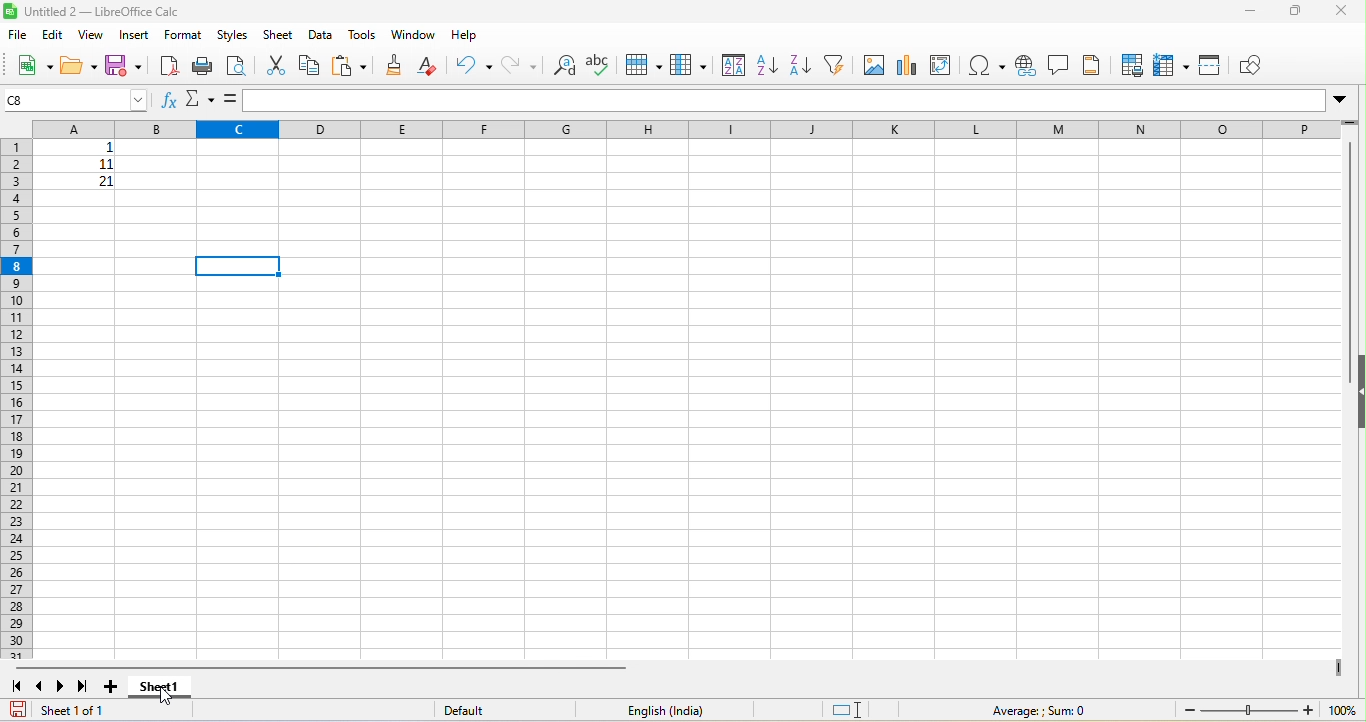 The height and width of the screenshot is (722, 1366). What do you see at coordinates (847, 711) in the screenshot?
I see `standard selection` at bounding box center [847, 711].